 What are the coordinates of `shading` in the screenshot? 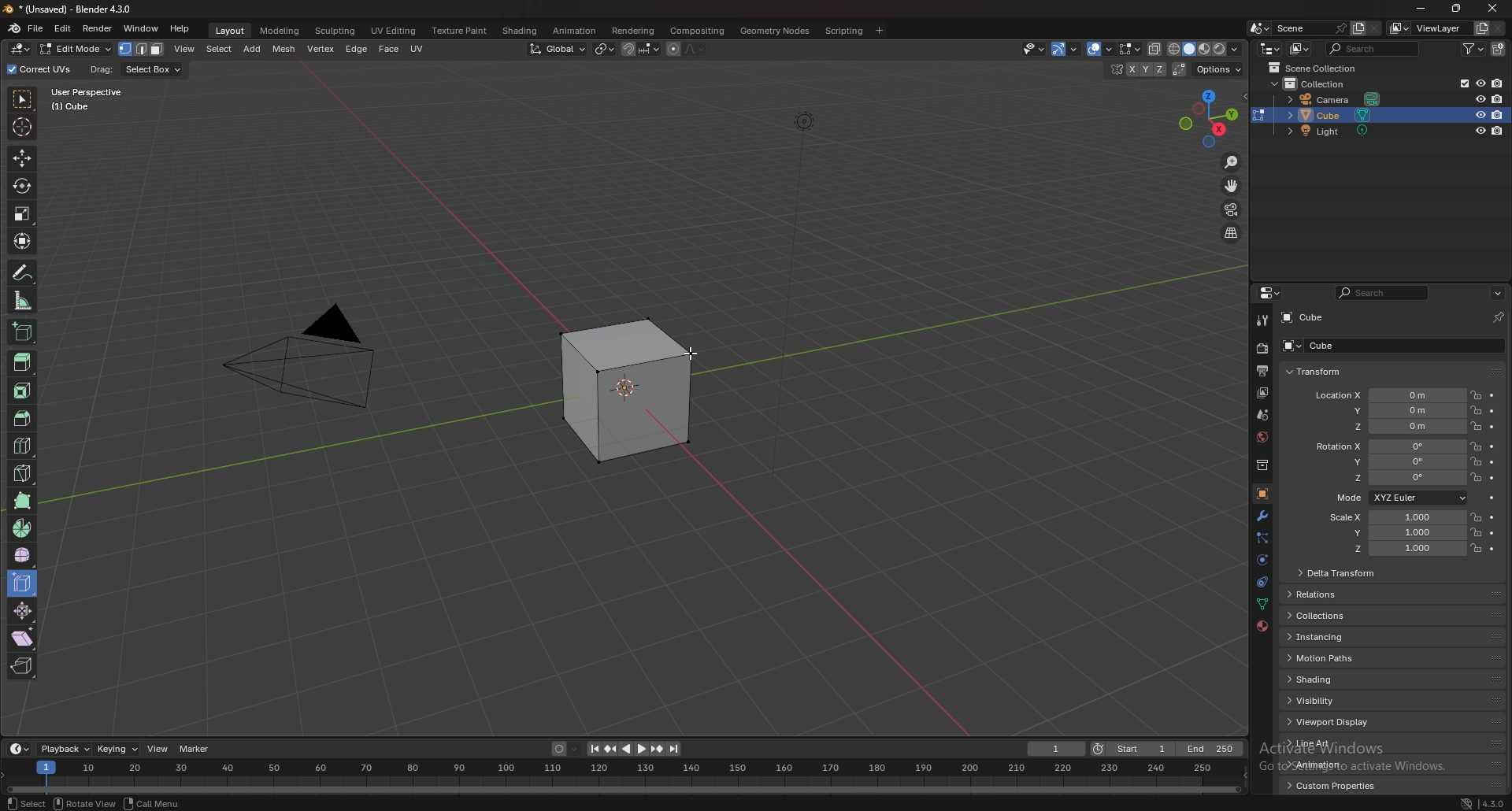 It's located at (521, 30).